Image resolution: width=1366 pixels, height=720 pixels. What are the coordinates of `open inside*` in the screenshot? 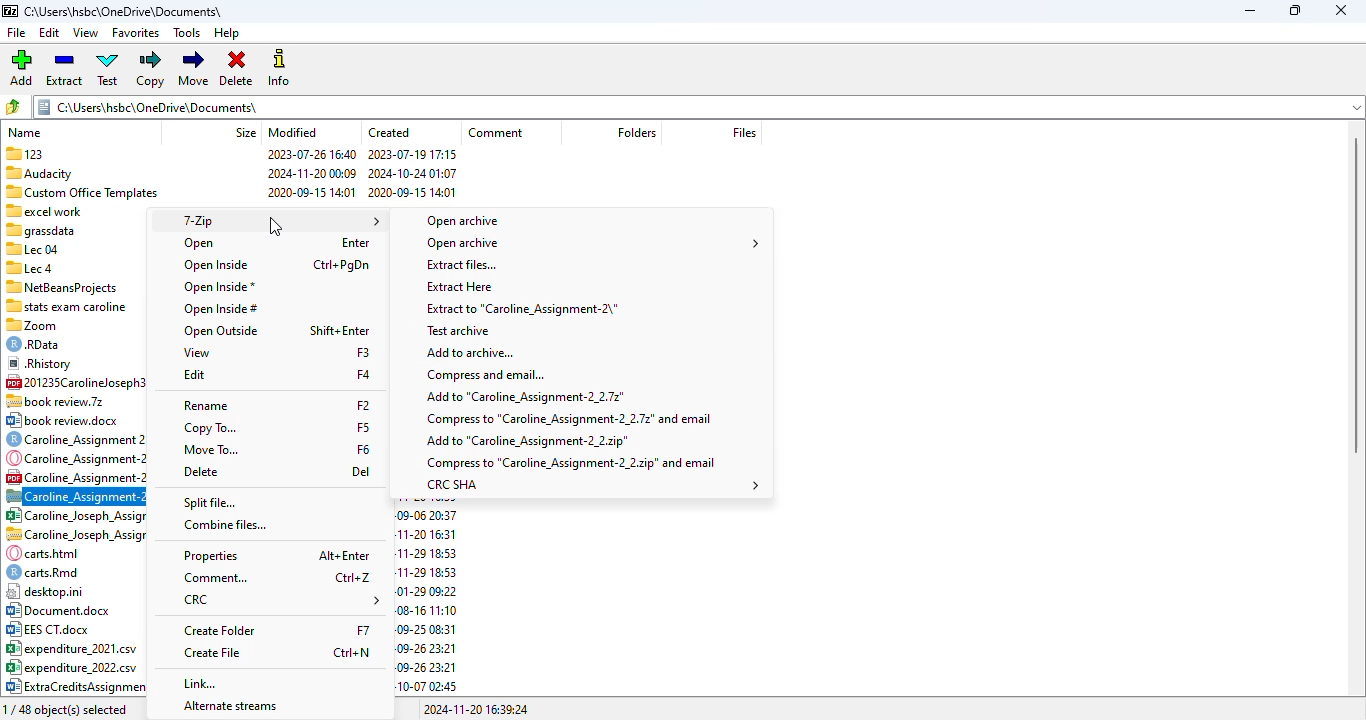 It's located at (219, 287).